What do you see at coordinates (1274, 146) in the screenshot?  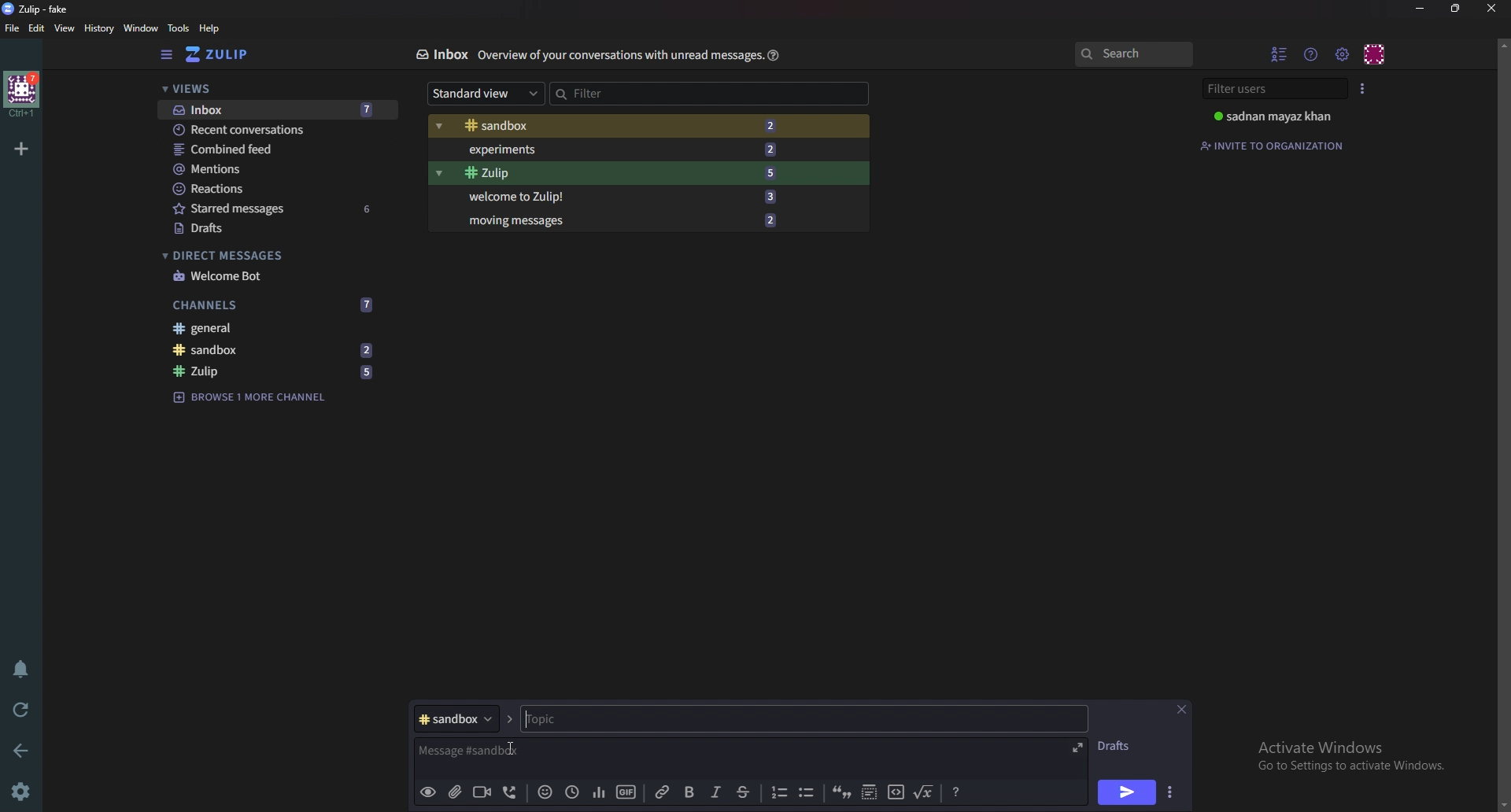 I see `Invite to organization` at bounding box center [1274, 146].